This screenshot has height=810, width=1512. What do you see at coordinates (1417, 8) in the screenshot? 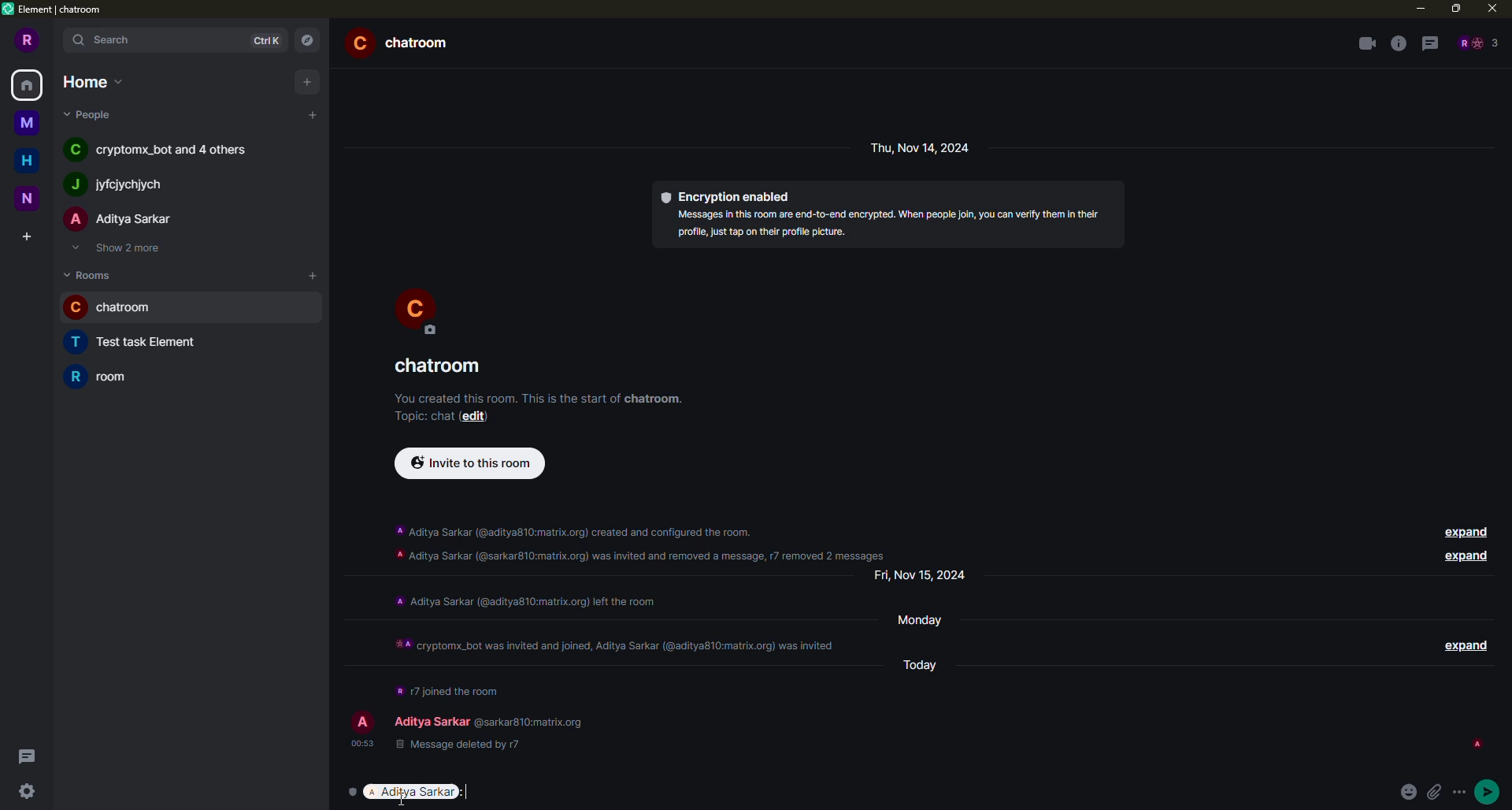
I see `minimize` at bounding box center [1417, 8].